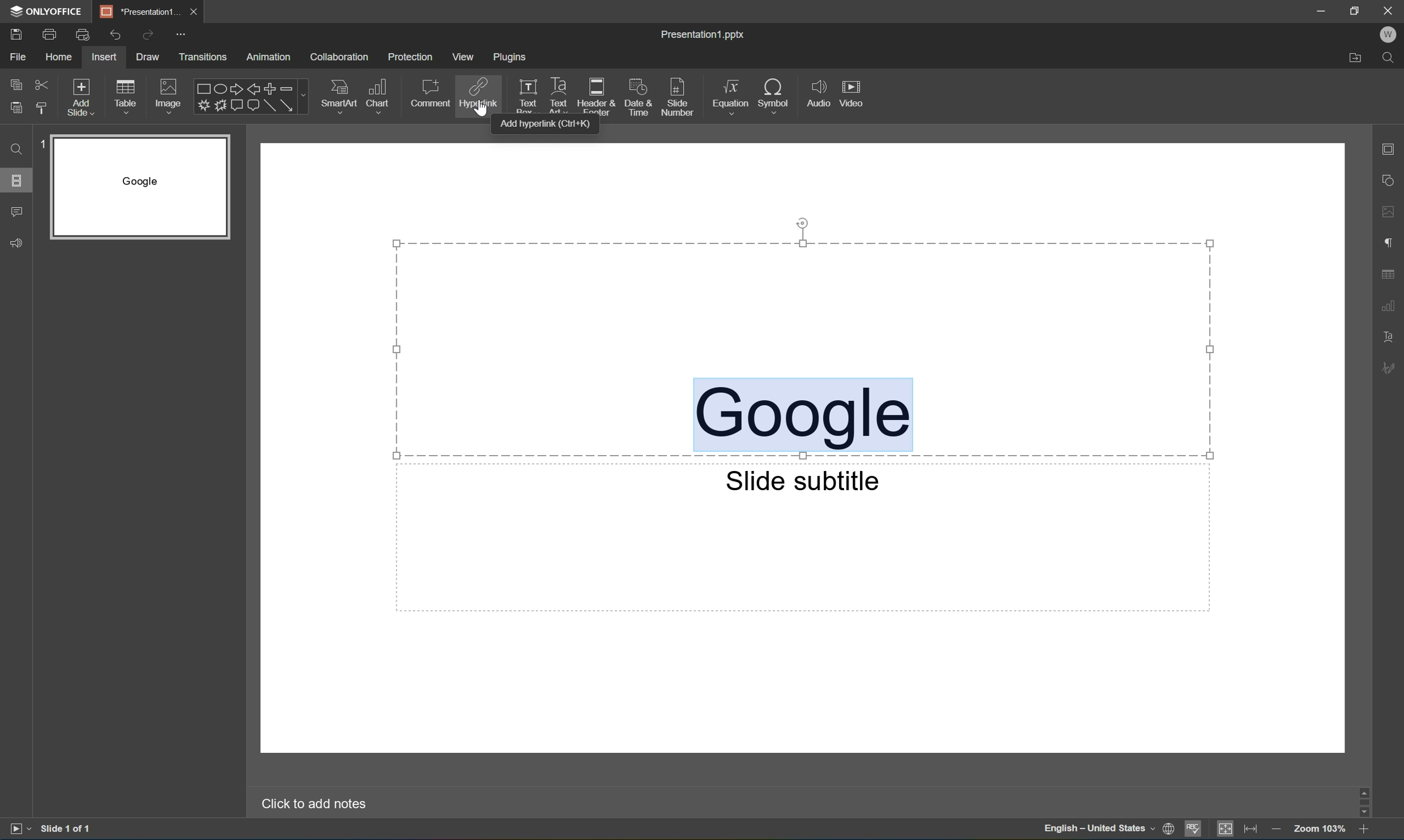  I want to click on English - United States, so click(1097, 829).